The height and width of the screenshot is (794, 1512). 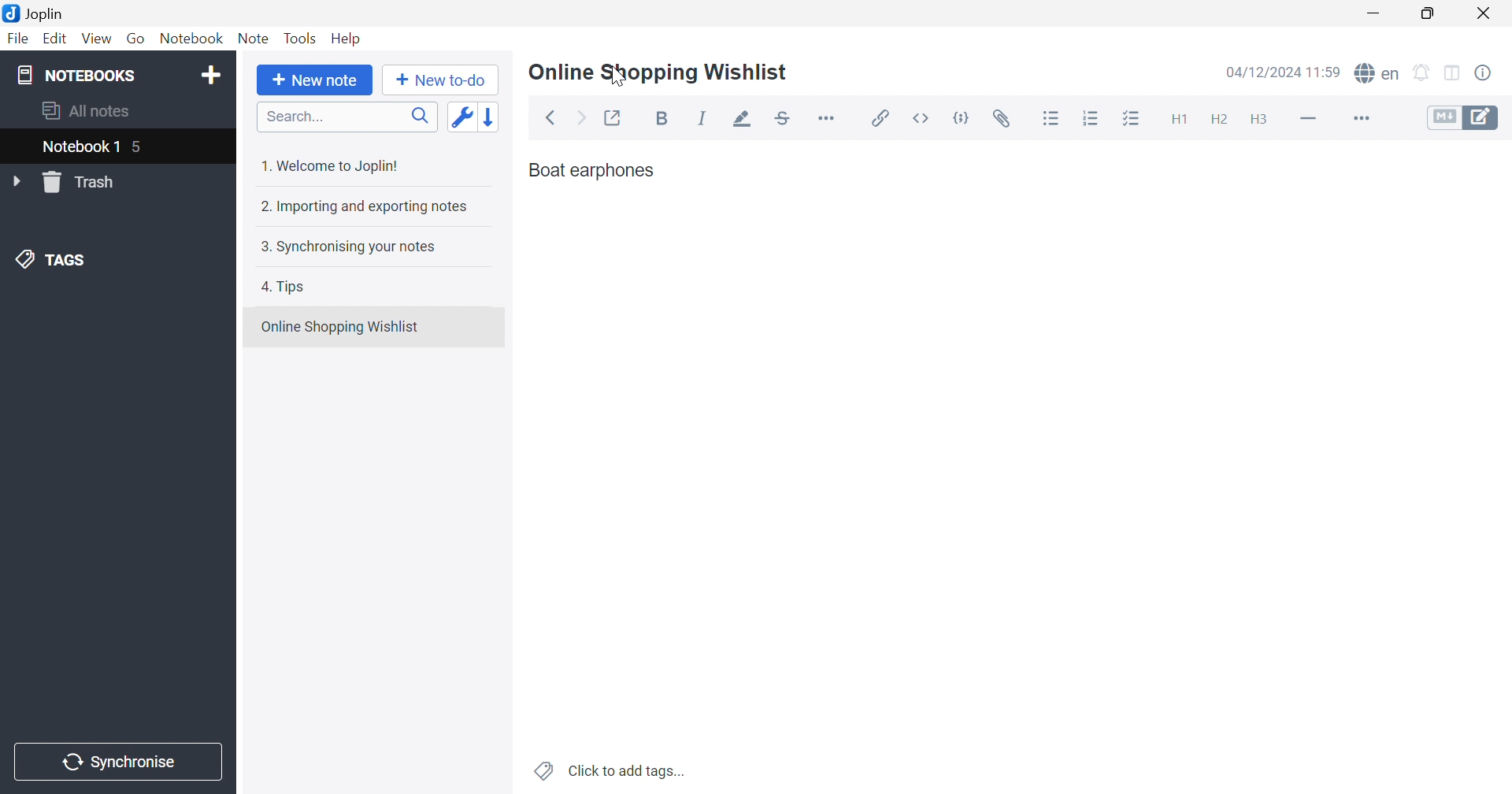 What do you see at coordinates (1052, 121) in the screenshot?
I see `Bulleted list` at bounding box center [1052, 121].